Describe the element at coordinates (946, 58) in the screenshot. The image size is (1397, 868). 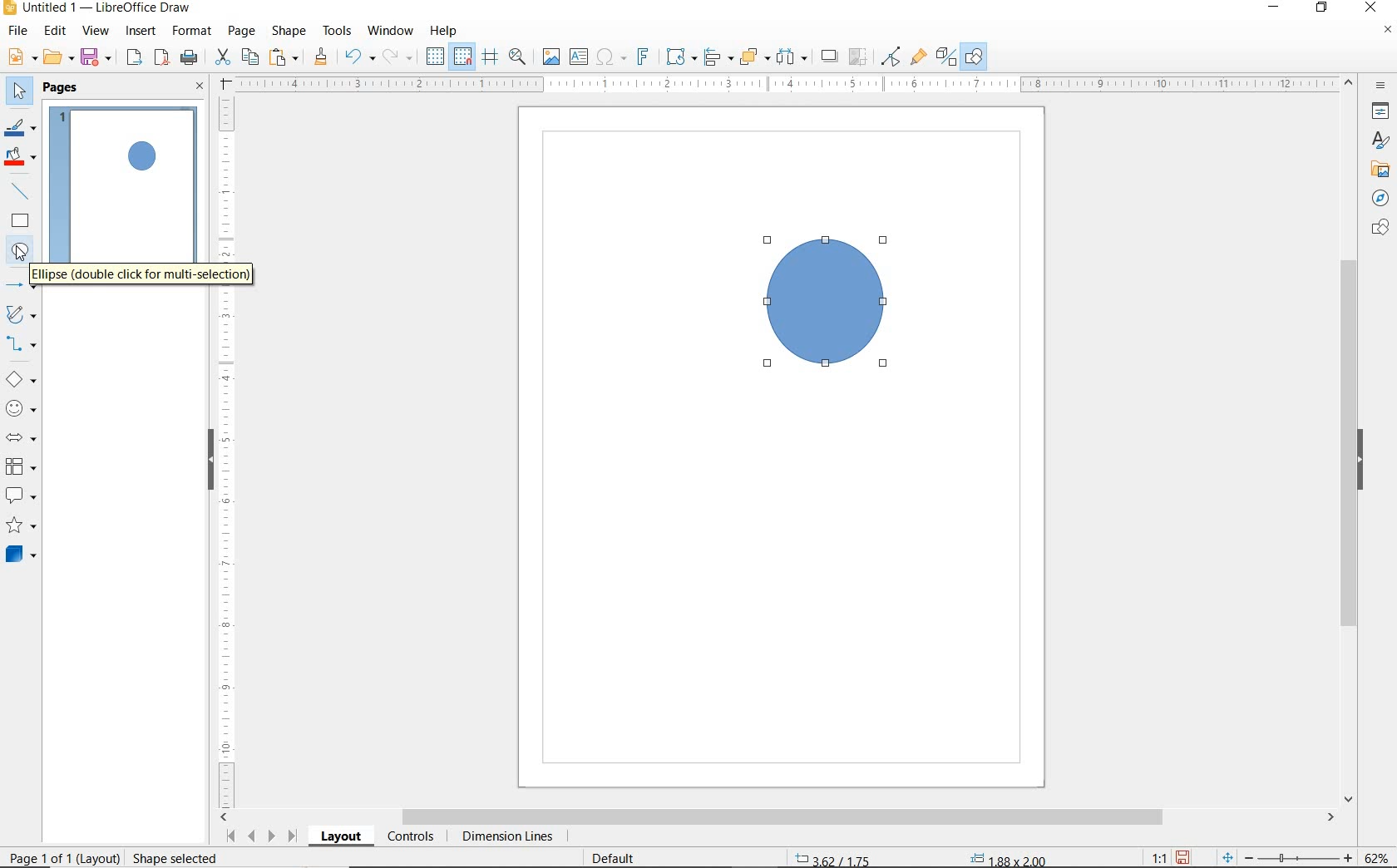
I see `TOGGLE EXTRUSION` at that location.